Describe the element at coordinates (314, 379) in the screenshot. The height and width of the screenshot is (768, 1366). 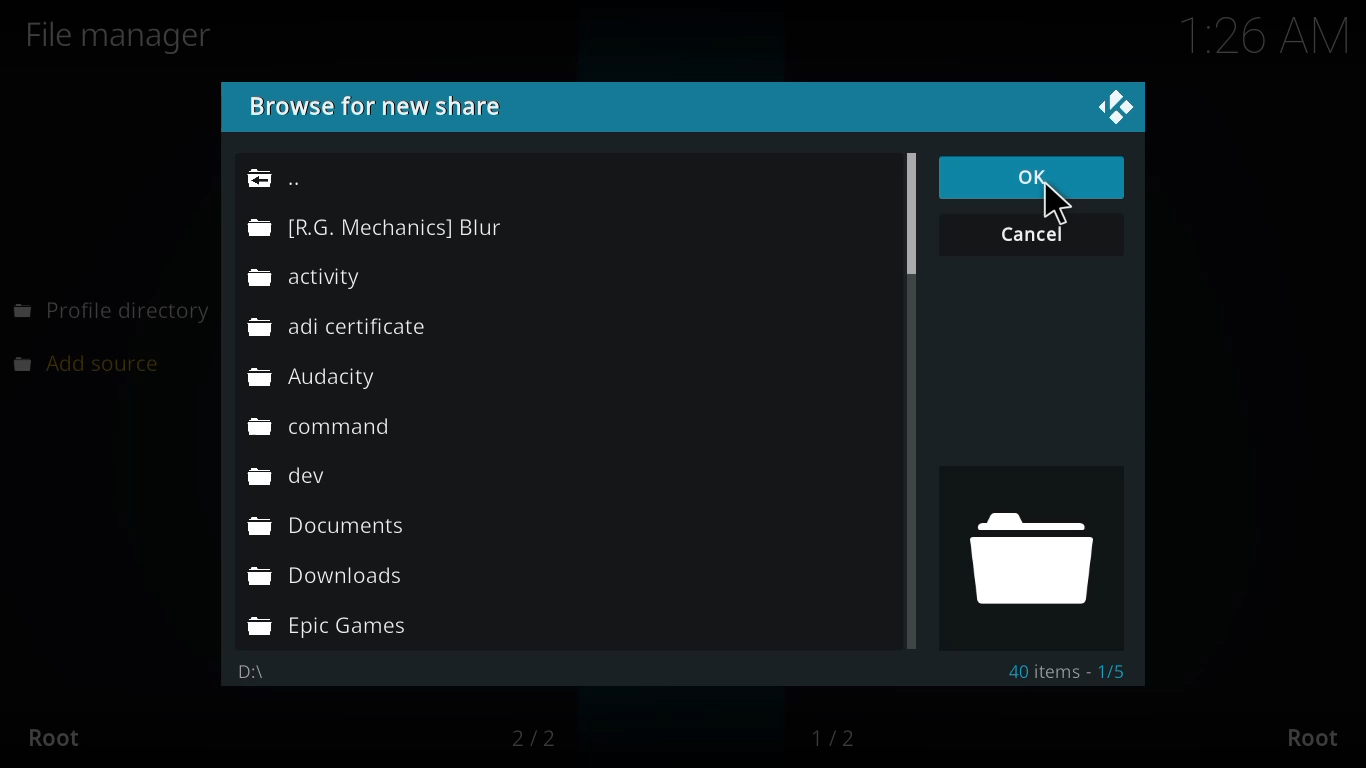
I see `file` at that location.